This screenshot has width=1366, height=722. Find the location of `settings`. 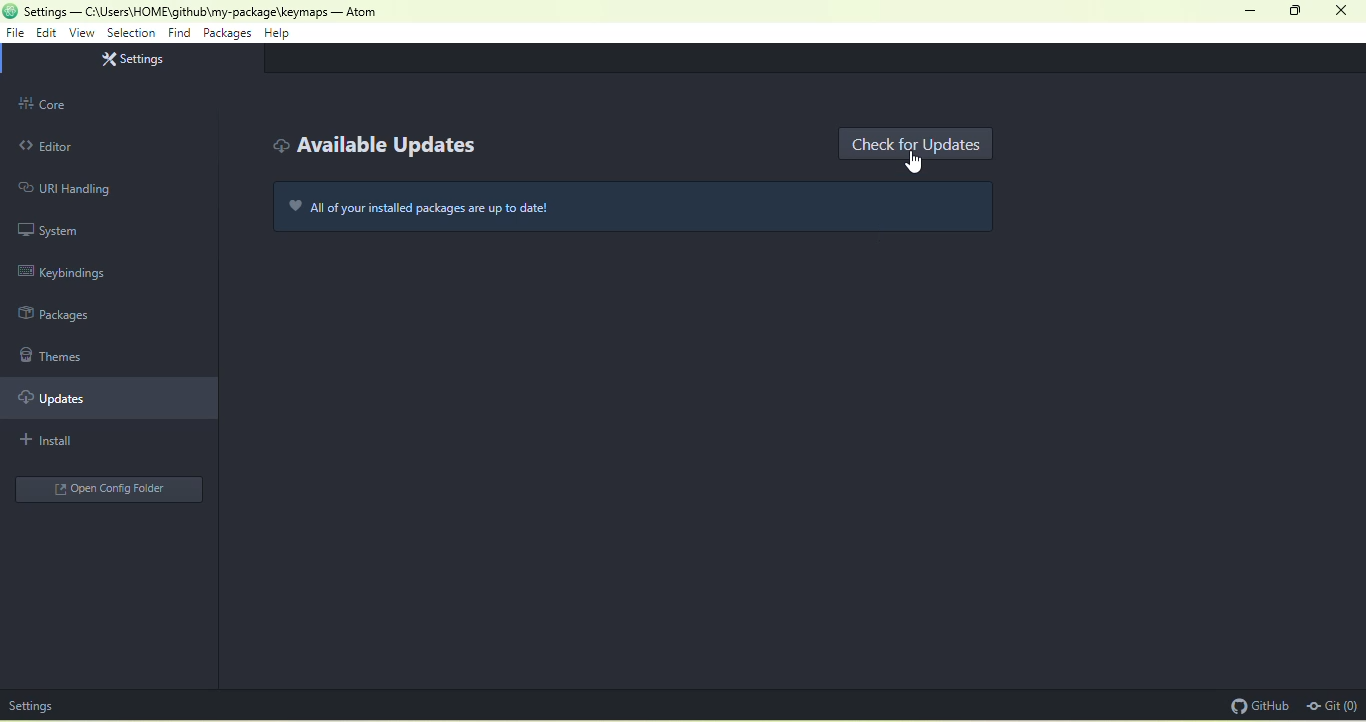

settings is located at coordinates (137, 60).